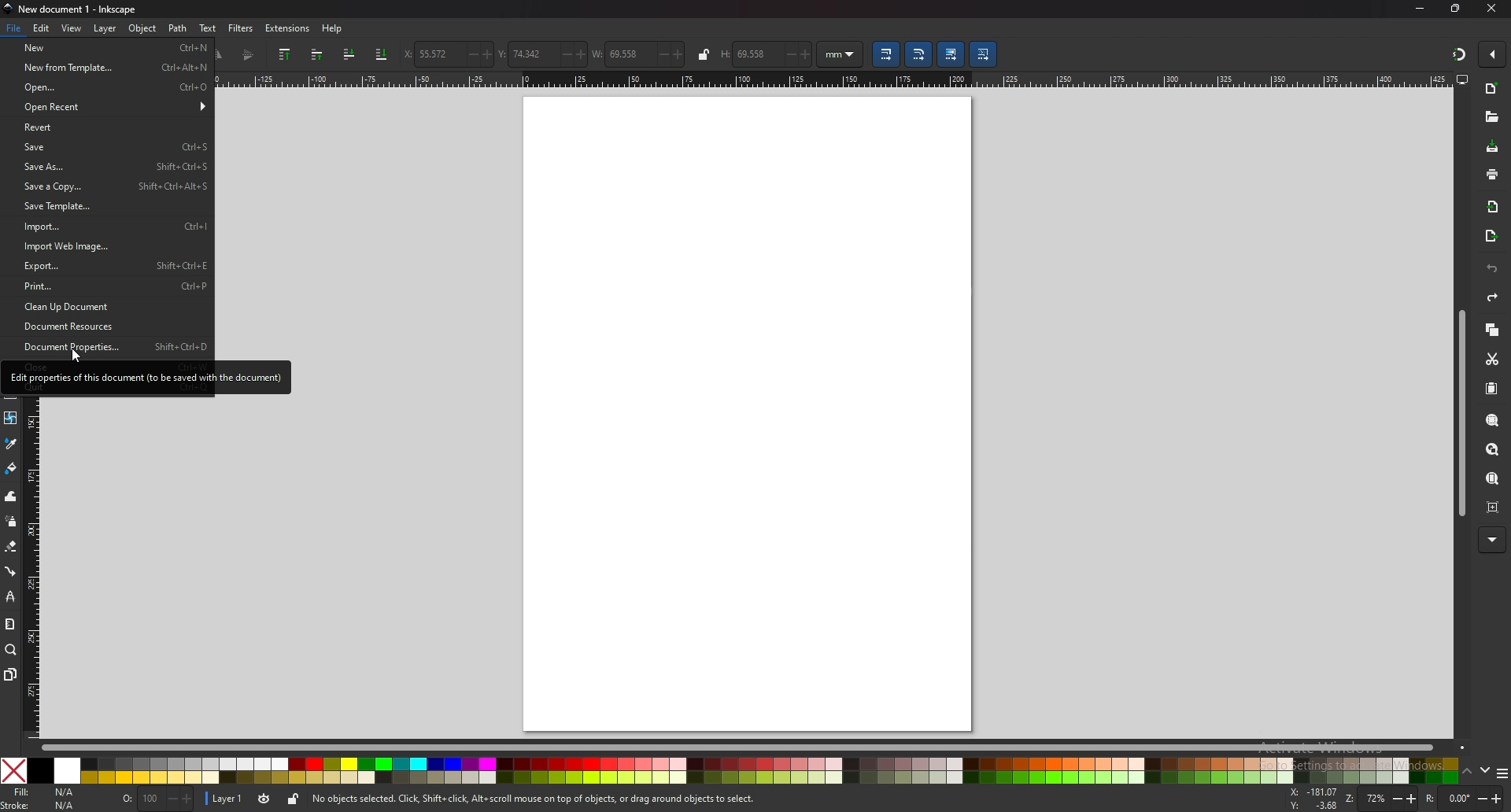 This screenshot has width=1511, height=812. I want to click on lower selection to one step, so click(349, 54).